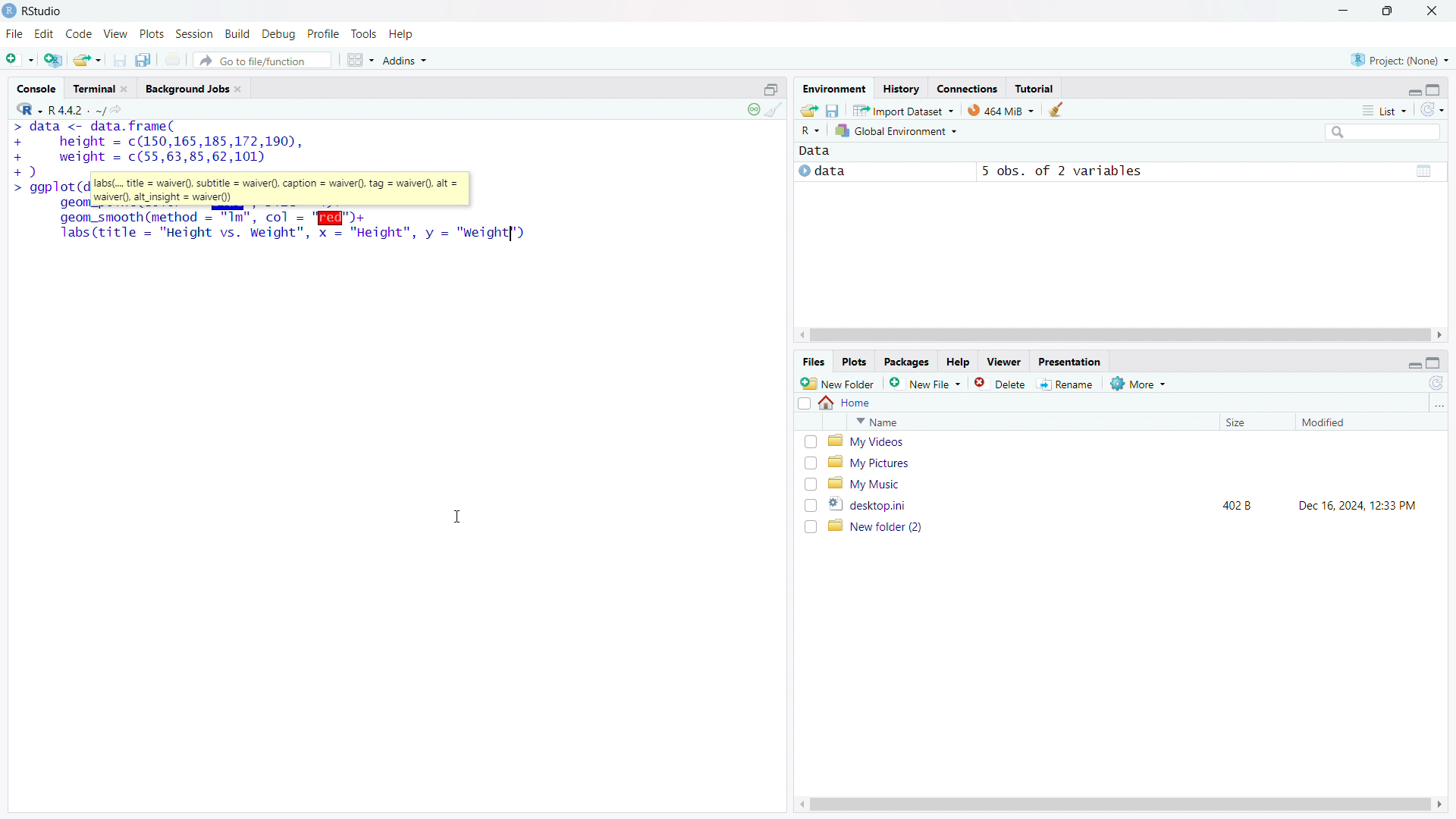  What do you see at coordinates (1432, 11) in the screenshot?
I see `close` at bounding box center [1432, 11].